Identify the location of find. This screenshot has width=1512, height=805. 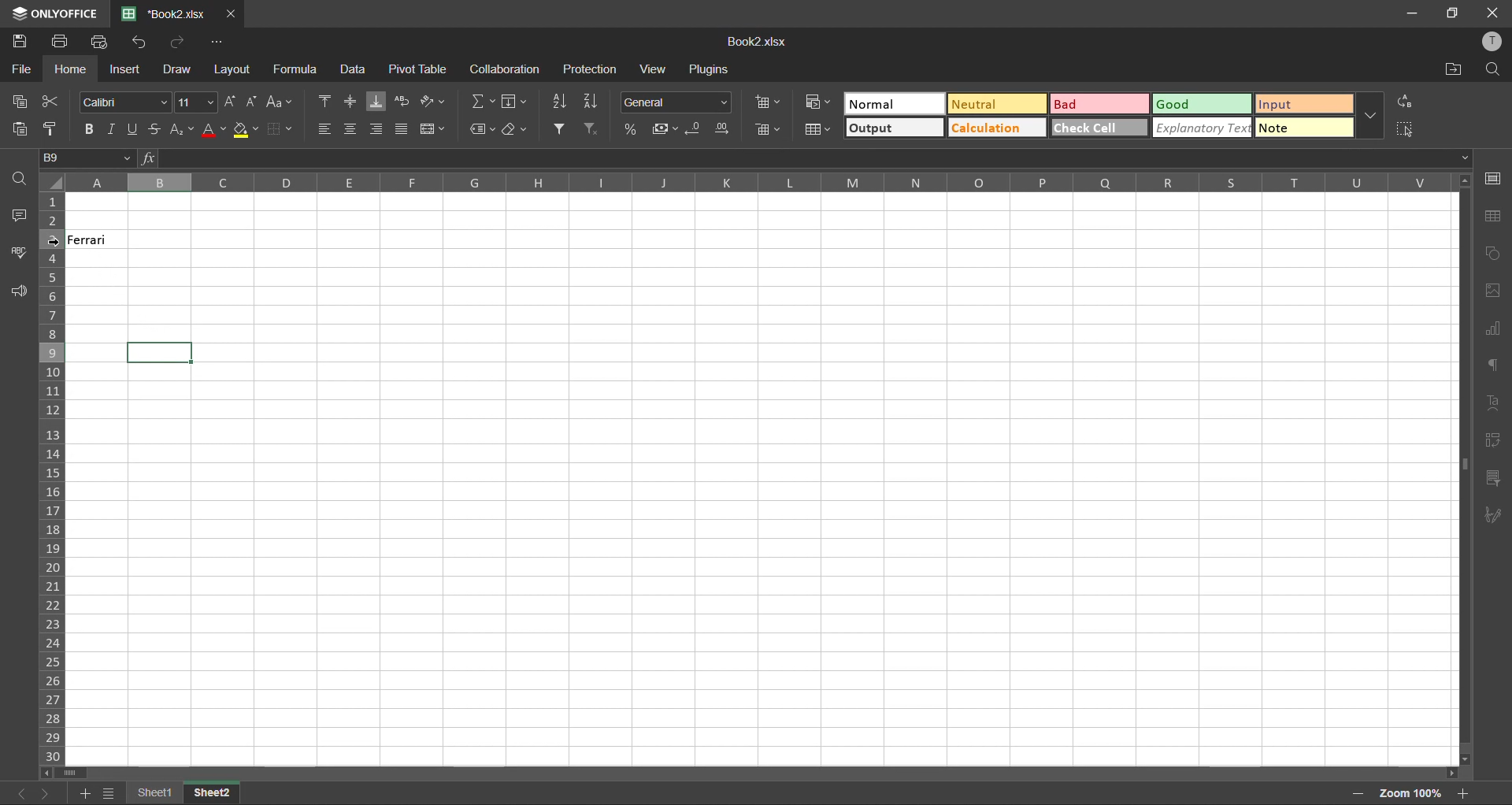
(1489, 69).